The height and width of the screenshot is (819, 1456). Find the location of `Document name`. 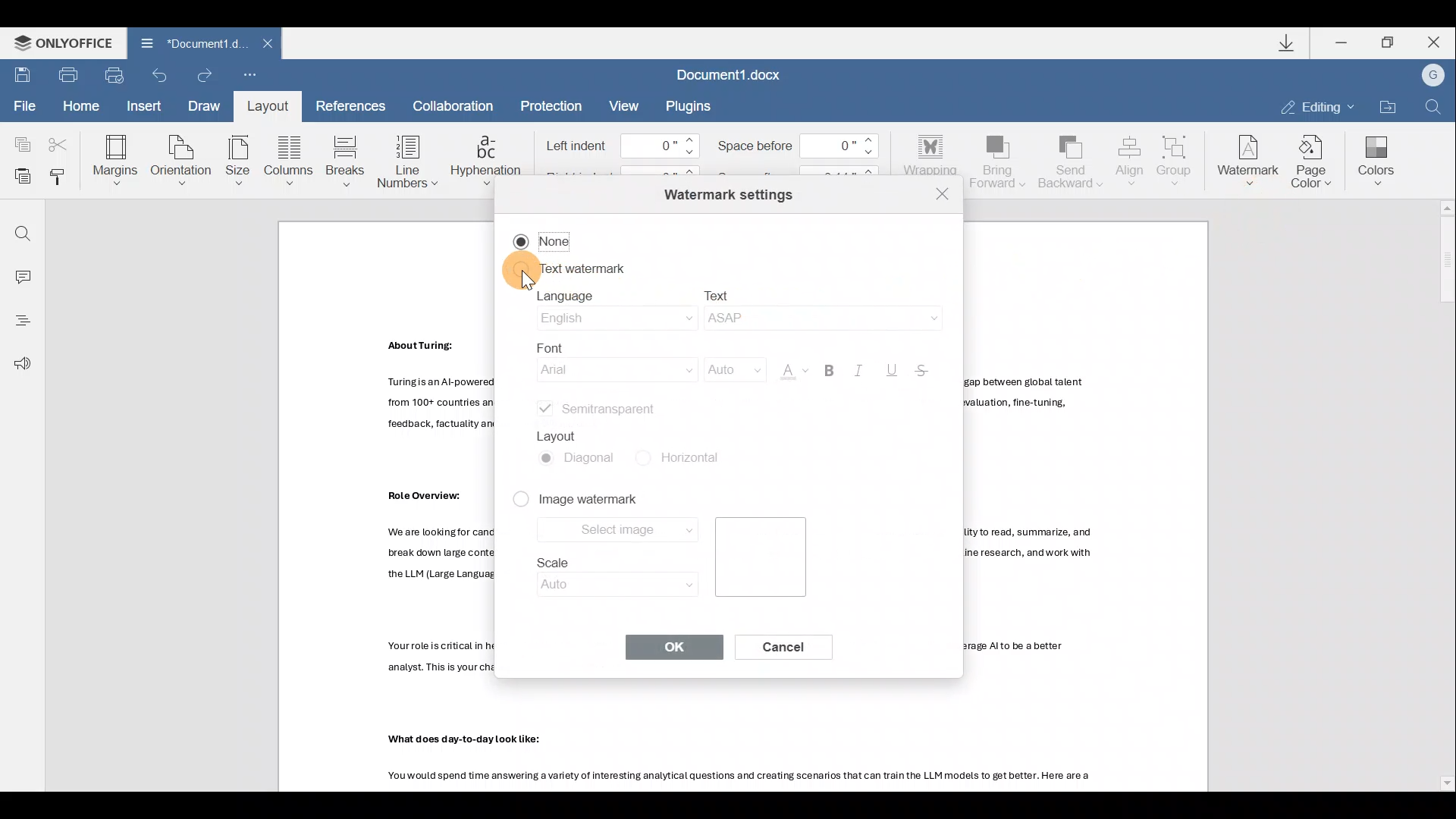

Document name is located at coordinates (187, 42).